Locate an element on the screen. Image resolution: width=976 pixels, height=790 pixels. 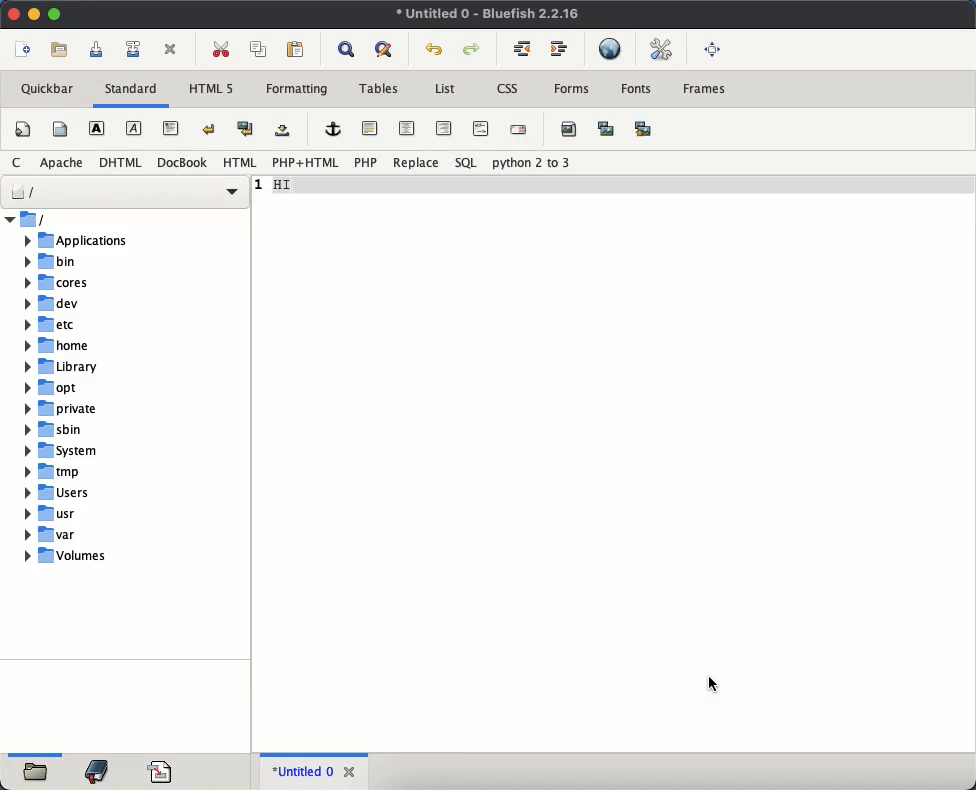
close is located at coordinates (350, 771).